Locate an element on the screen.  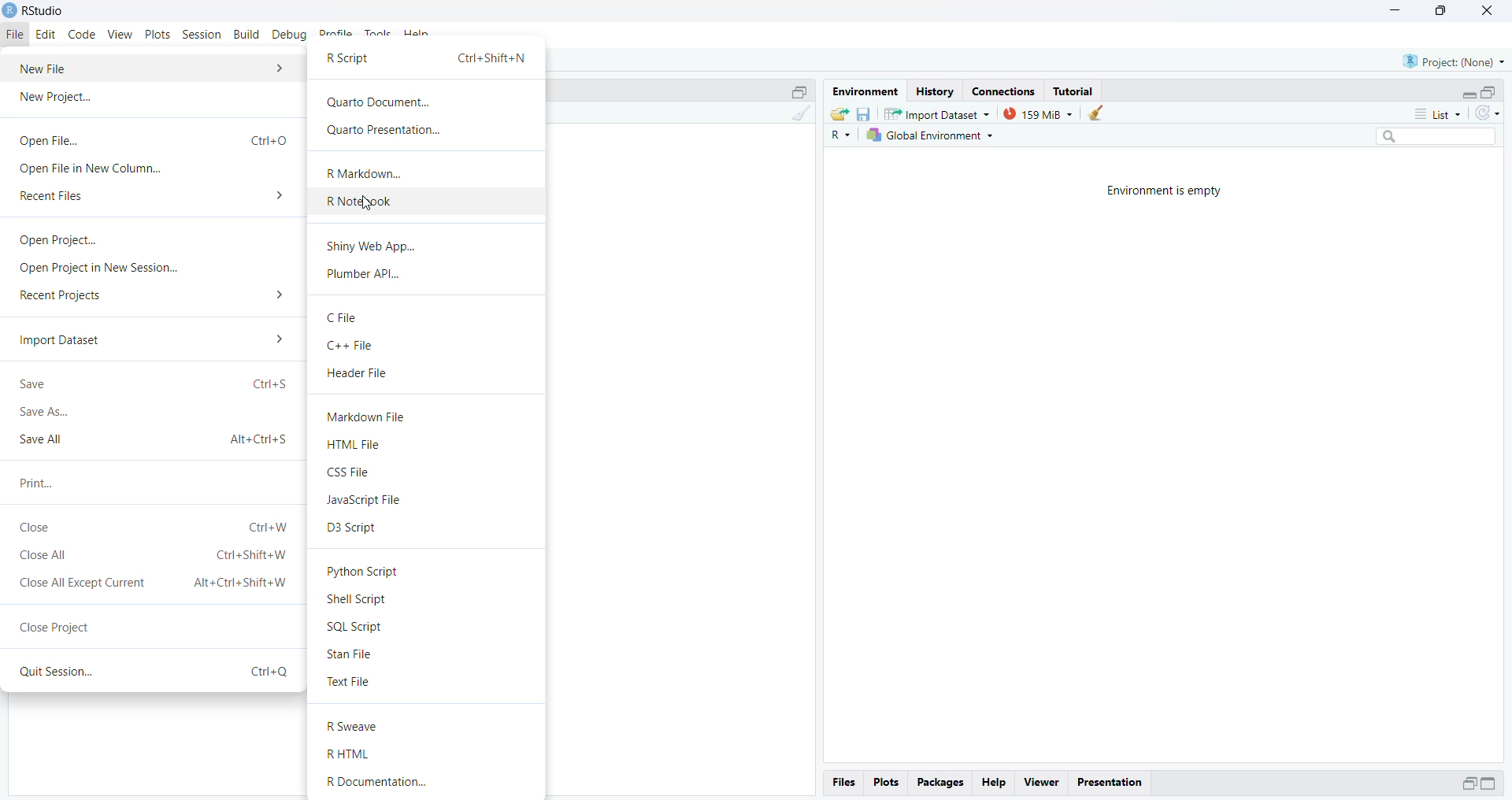
file is located at coordinates (17, 35).